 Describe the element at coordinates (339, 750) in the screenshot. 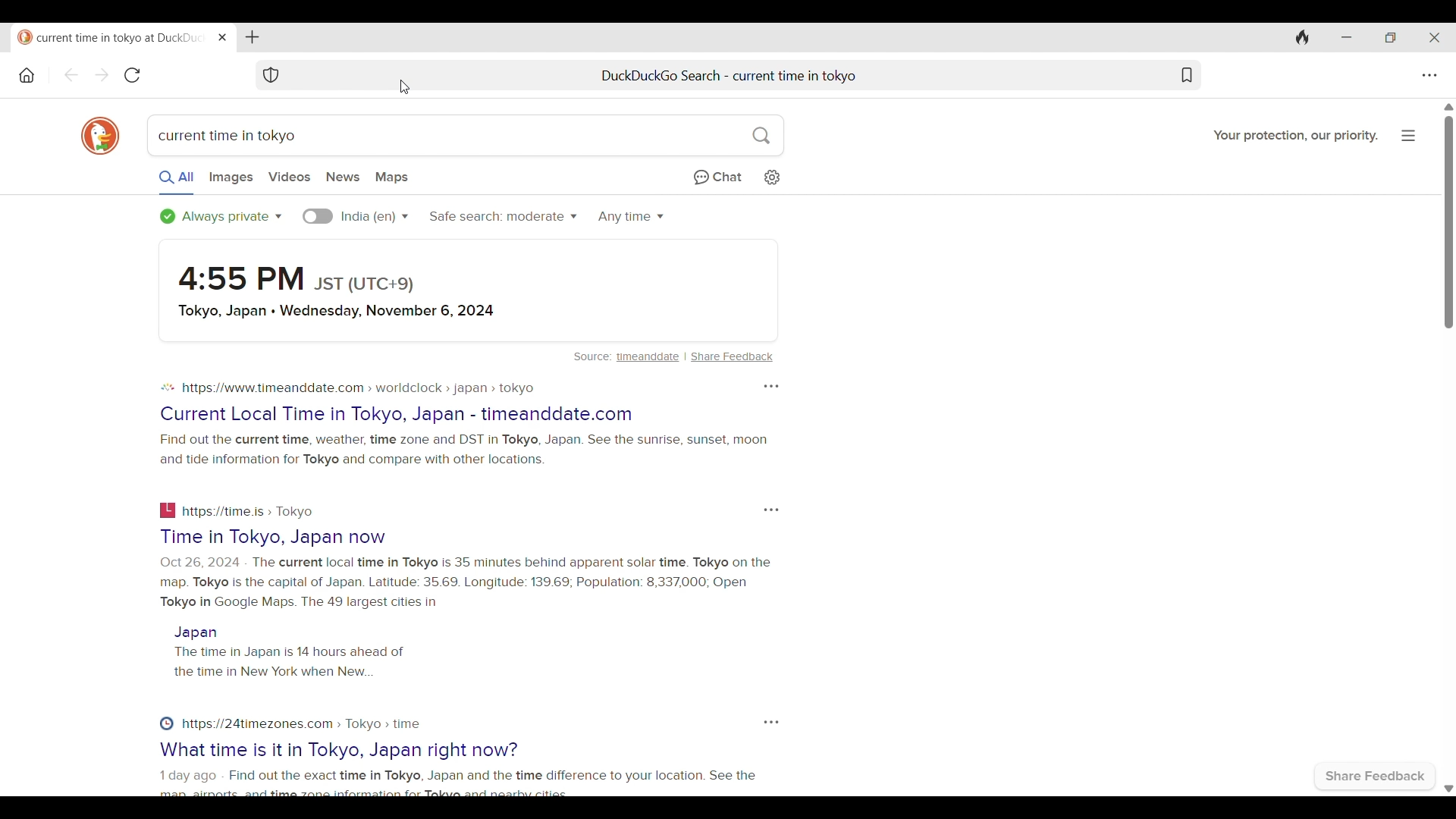

I see `What time is it in Tokyo, Japan right now?` at that location.